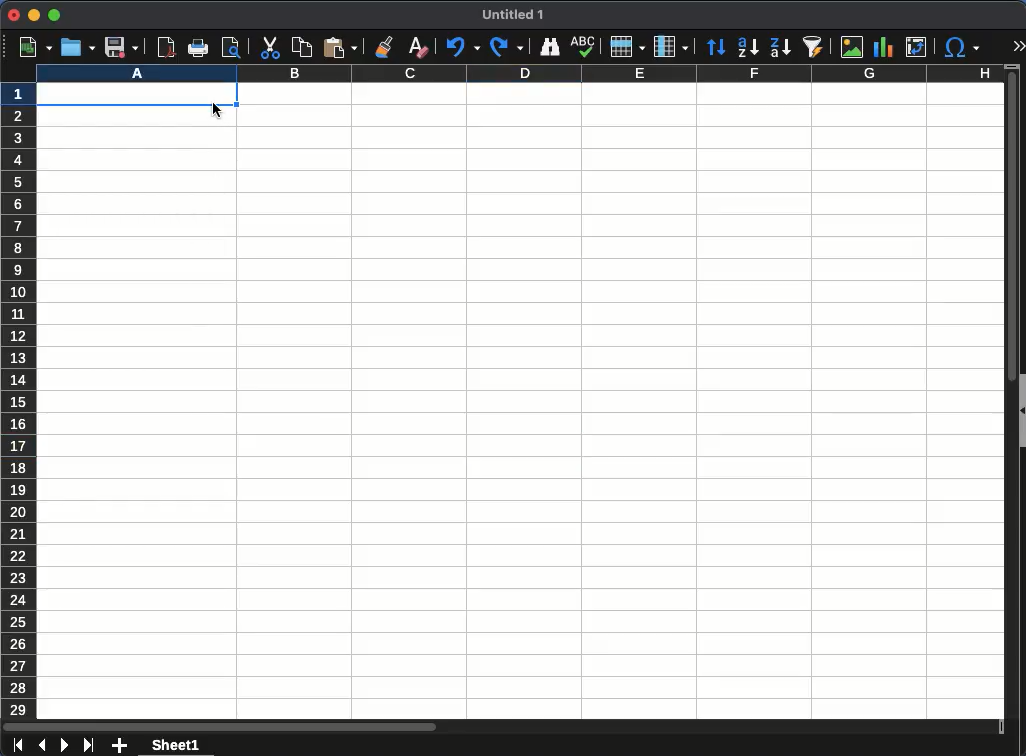  I want to click on previous sheet, so click(41, 746).